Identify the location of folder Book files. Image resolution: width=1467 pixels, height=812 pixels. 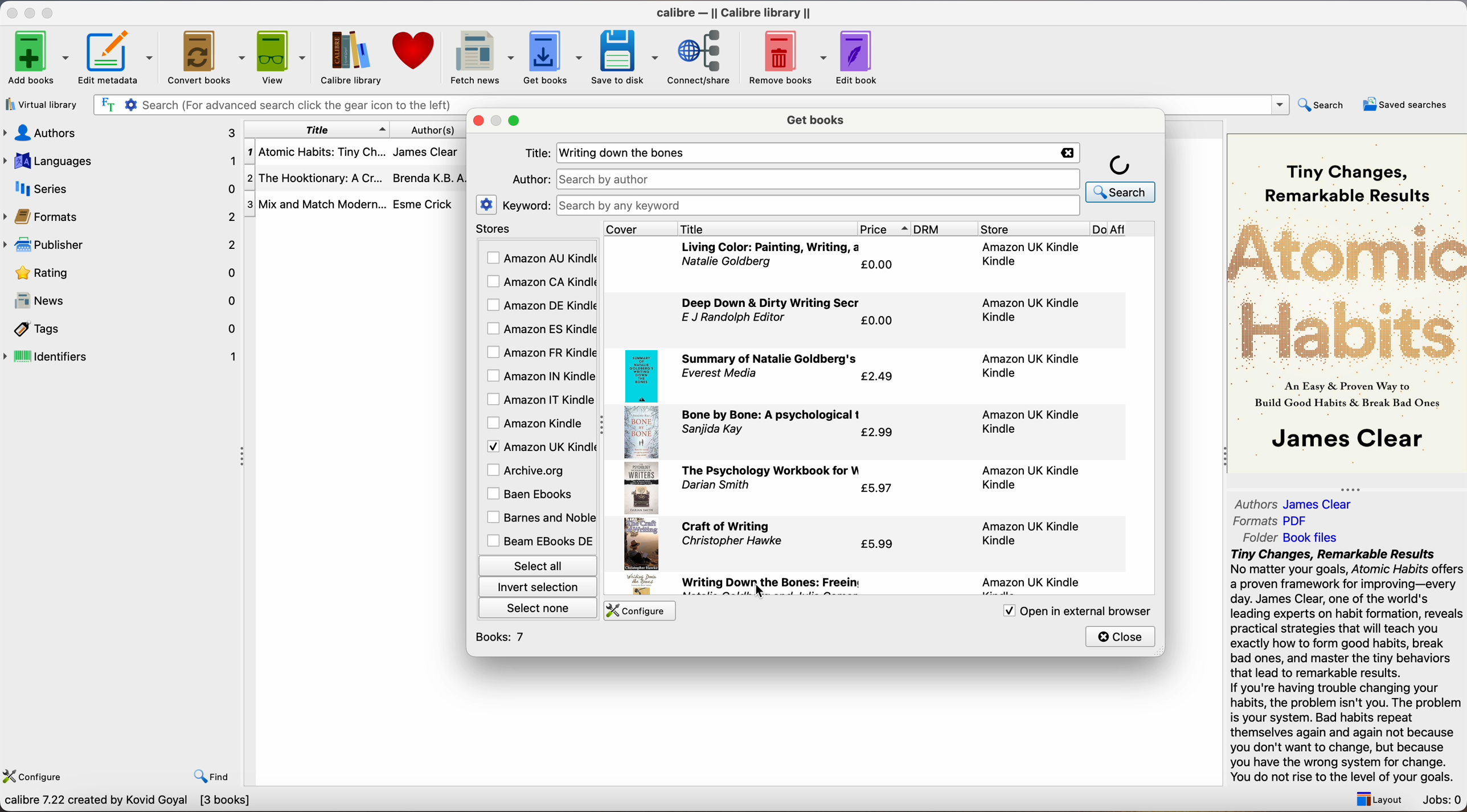
(1292, 537).